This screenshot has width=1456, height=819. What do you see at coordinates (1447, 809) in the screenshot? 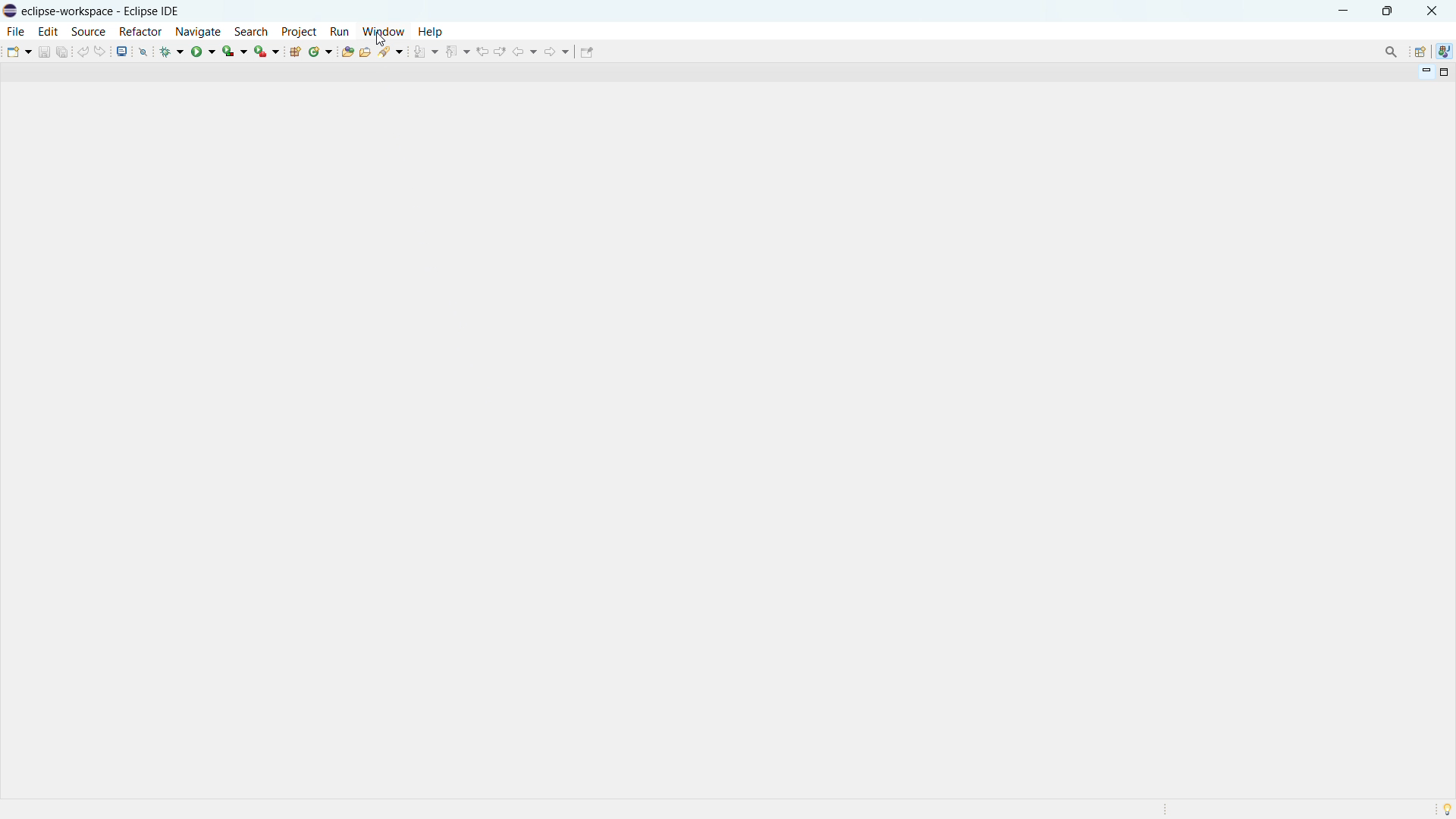
I see `tip of the day` at bounding box center [1447, 809].